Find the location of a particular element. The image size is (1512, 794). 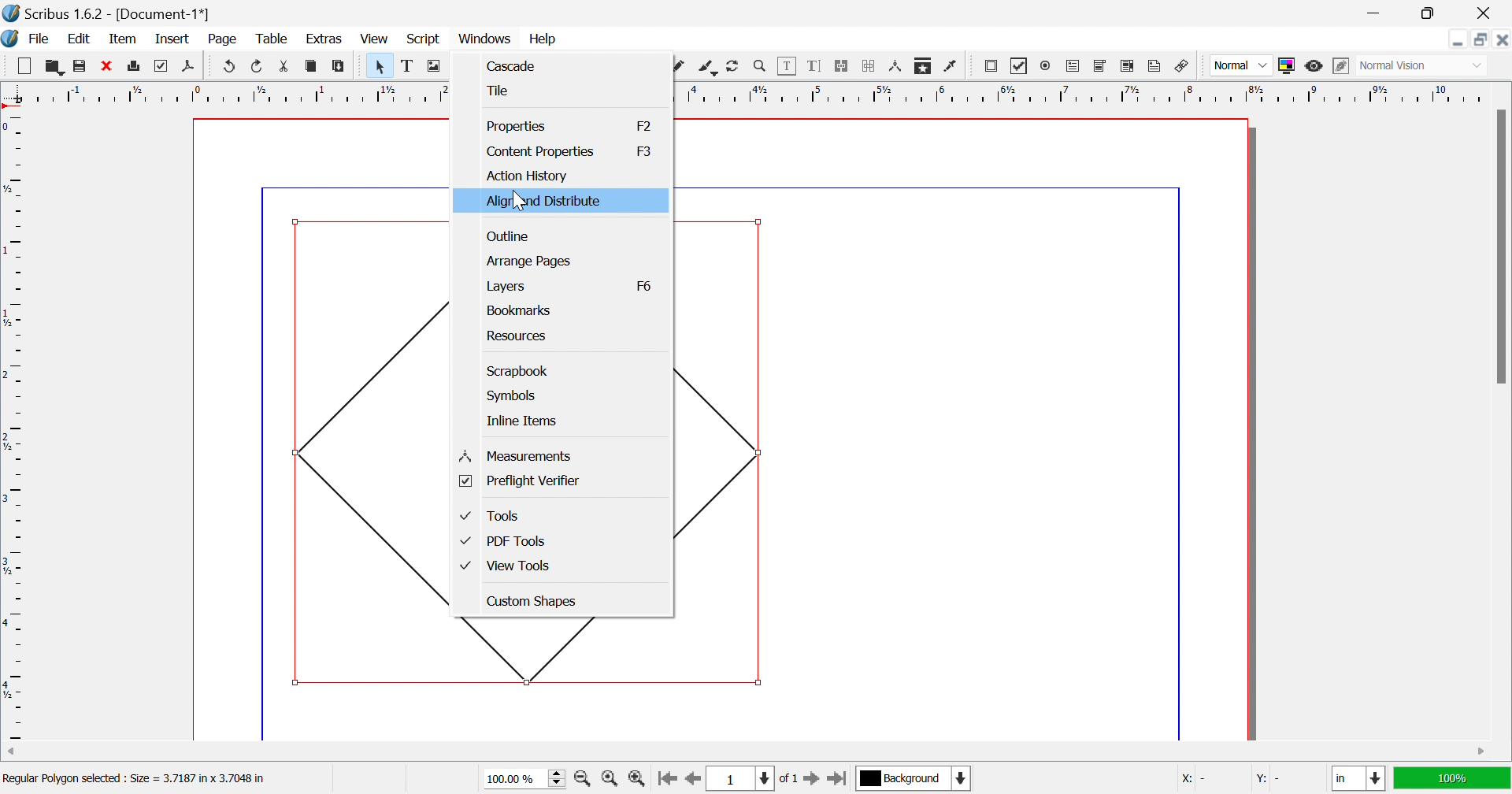

Toggle Color Management System is located at coordinates (1286, 65).